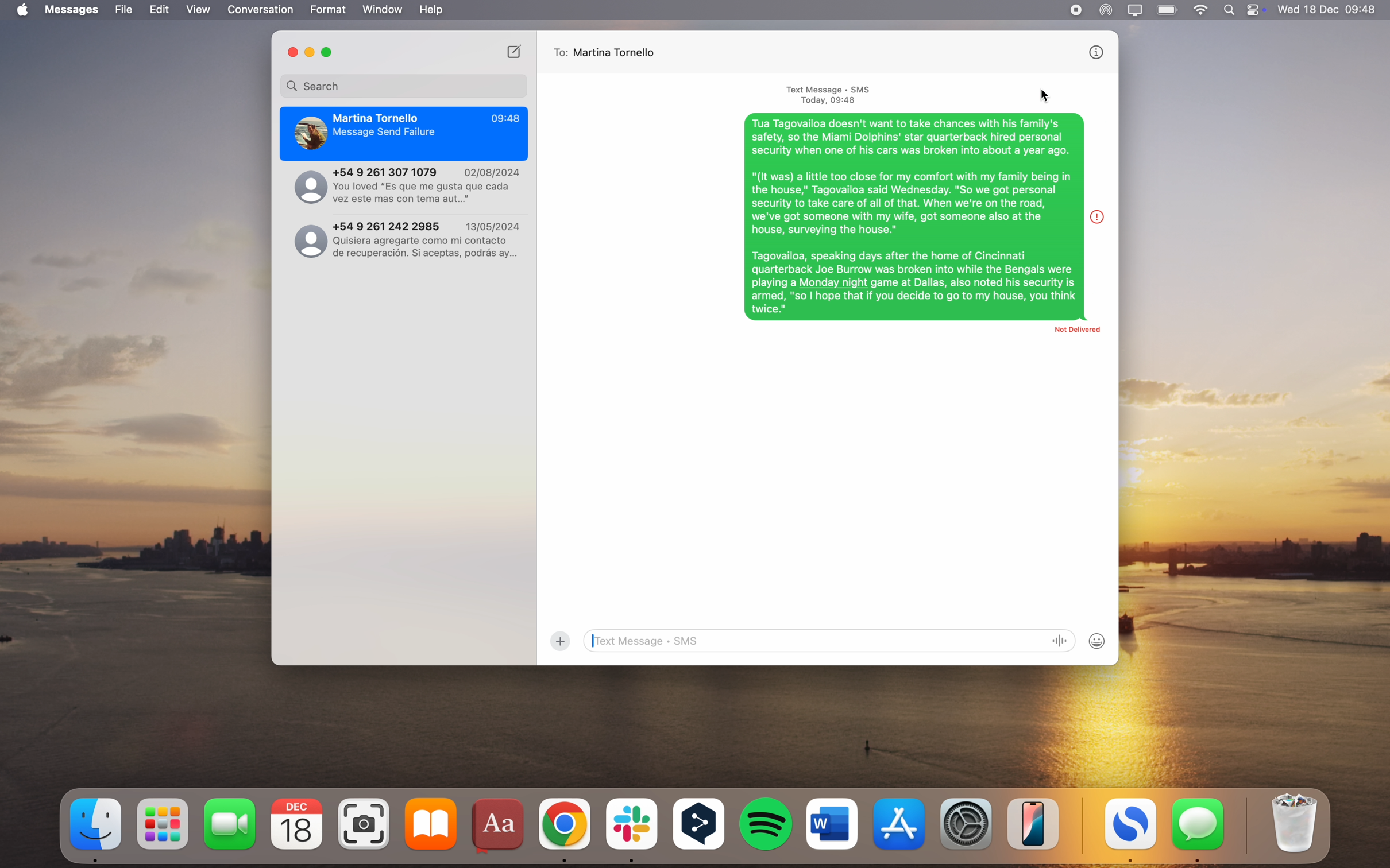 The height and width of the screenshot is (868, 1390). What do you see at coordinates (832, 823) in the screenshot?
I see `Word` at bounding box center [832, 823].